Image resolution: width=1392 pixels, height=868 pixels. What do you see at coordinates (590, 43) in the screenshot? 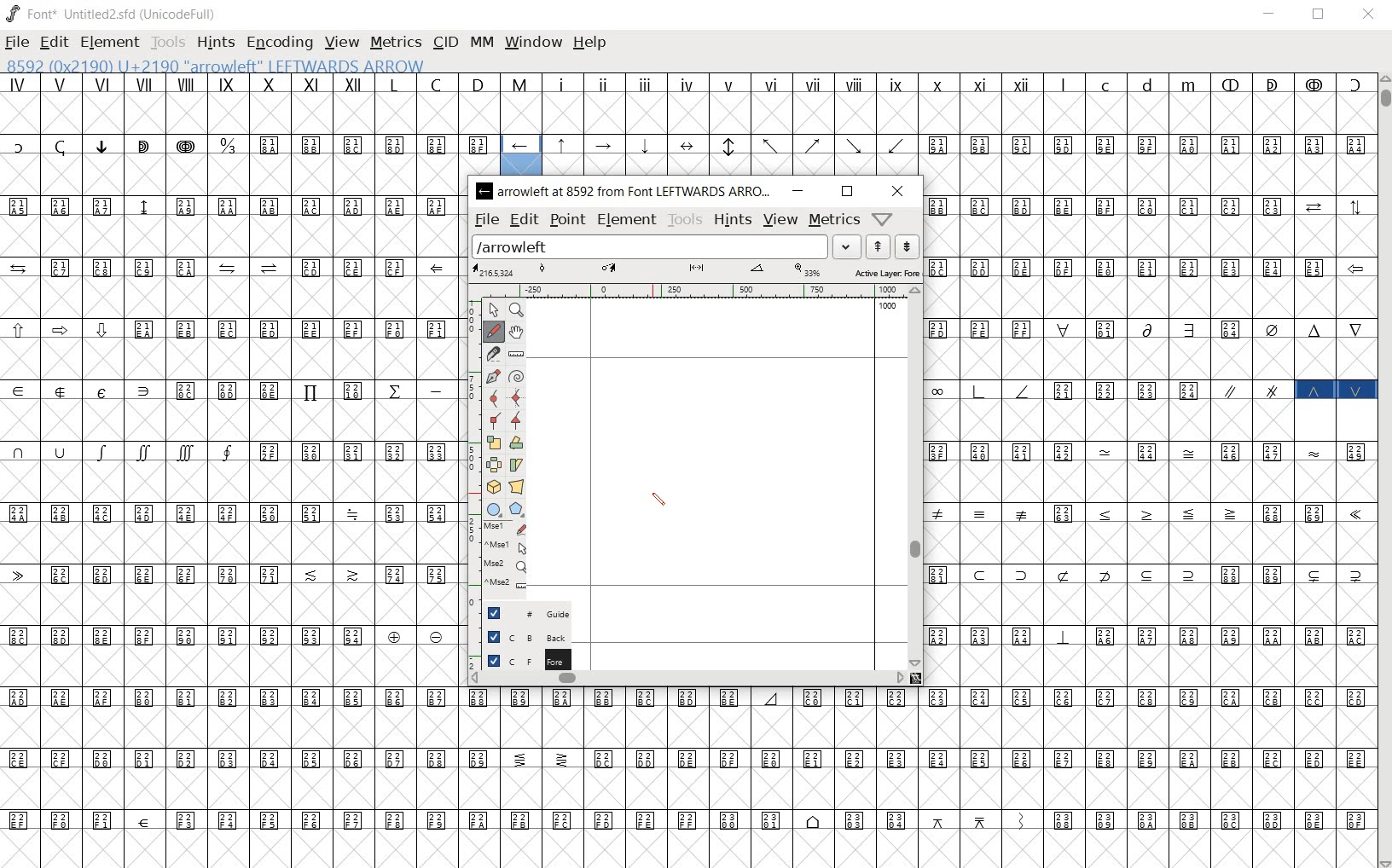
I see `help` at bounding box center [590, 43].